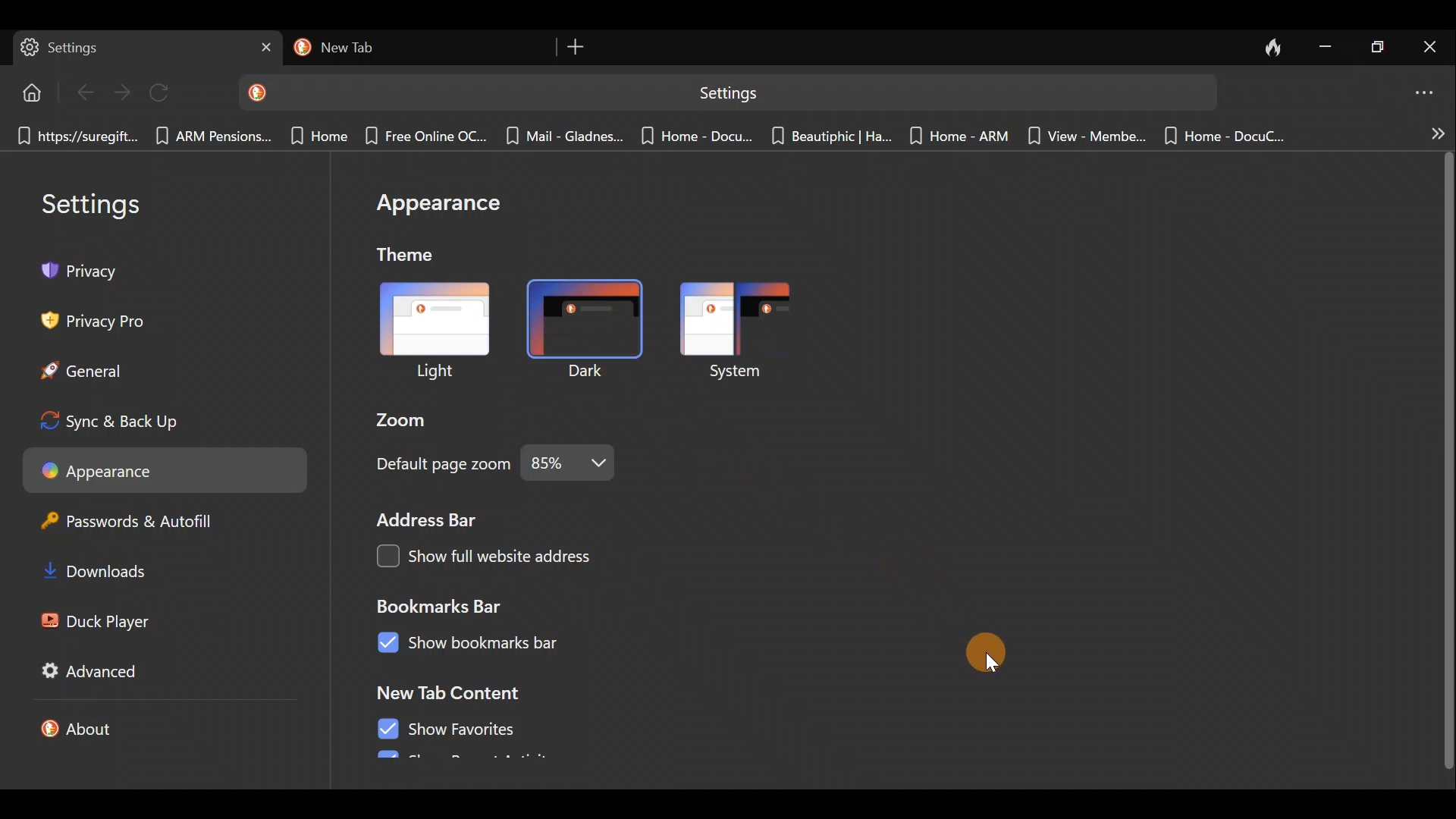  Describe the element at coordinates (697, 134) in the screenshot. I see `Bookmark 6` at that location.